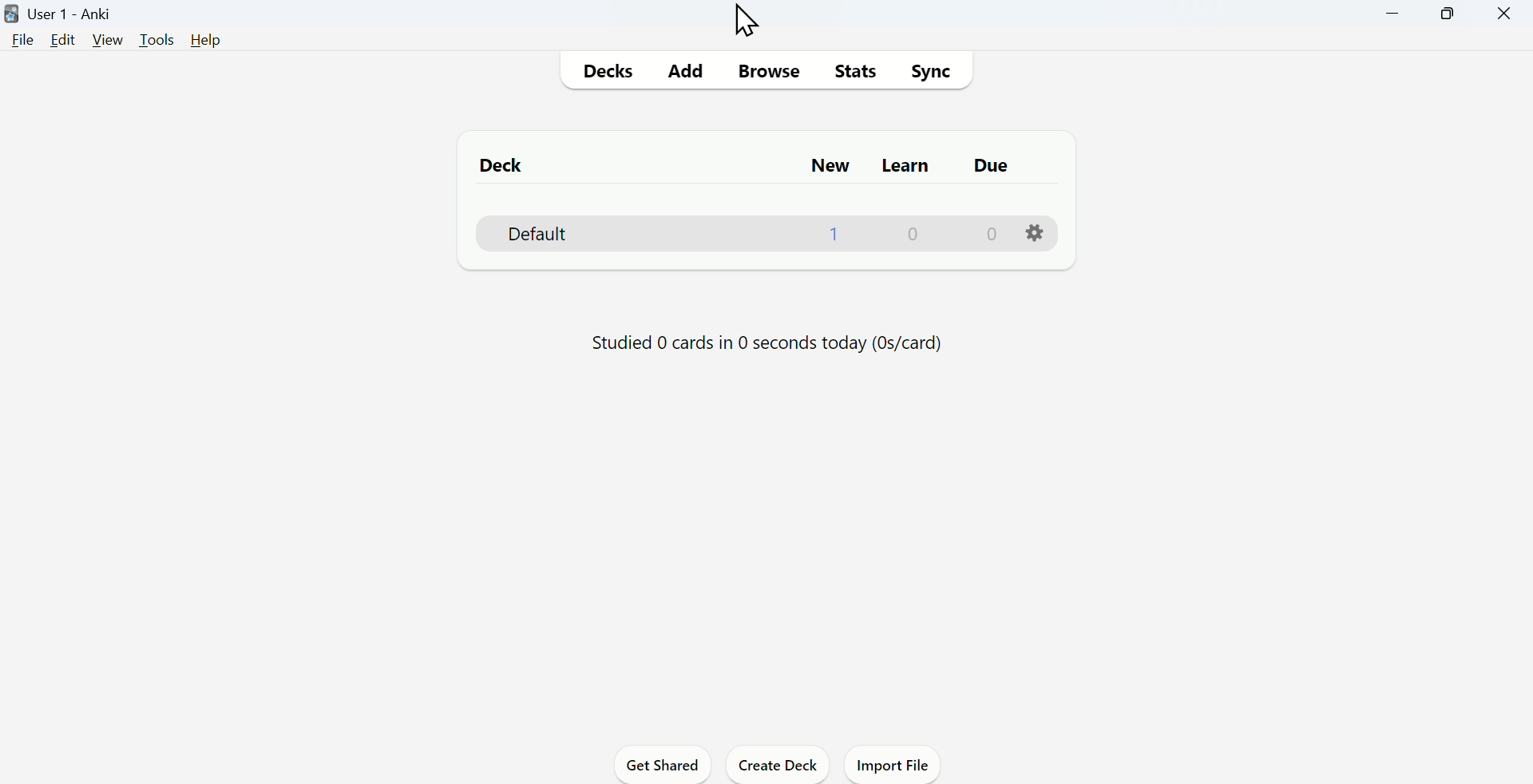 Image resolution: width=1533 pixels, height=784 pixels. What do you see at coordinates (105, 41) in the screenshot?
I see `View` at bounding box center [105, 41].